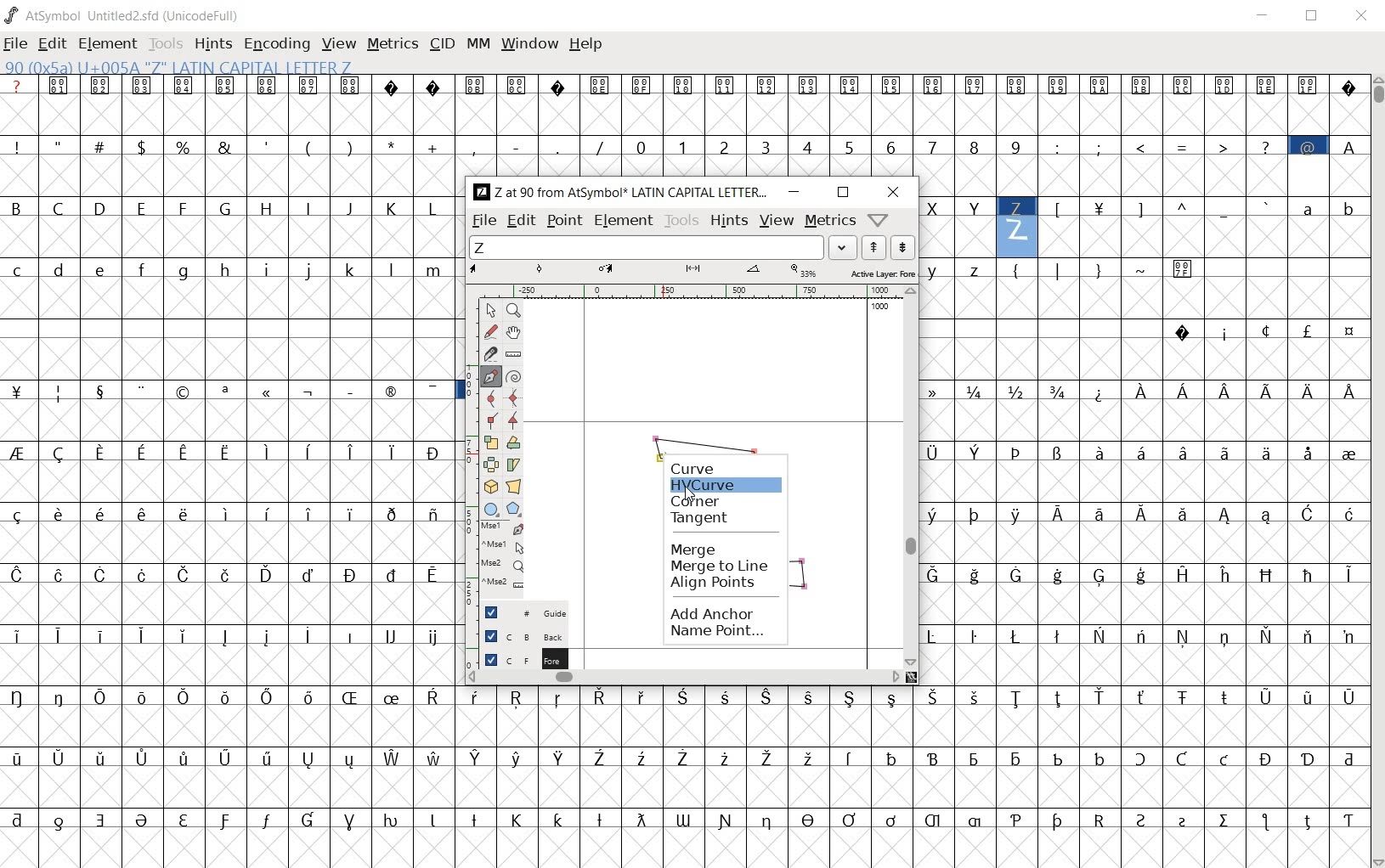 The height and width of the screenshot is (868, 1385). What do you see at coordinates (167, 42) in the screenshot?
I see `tools` at bounding box center [167, 42].